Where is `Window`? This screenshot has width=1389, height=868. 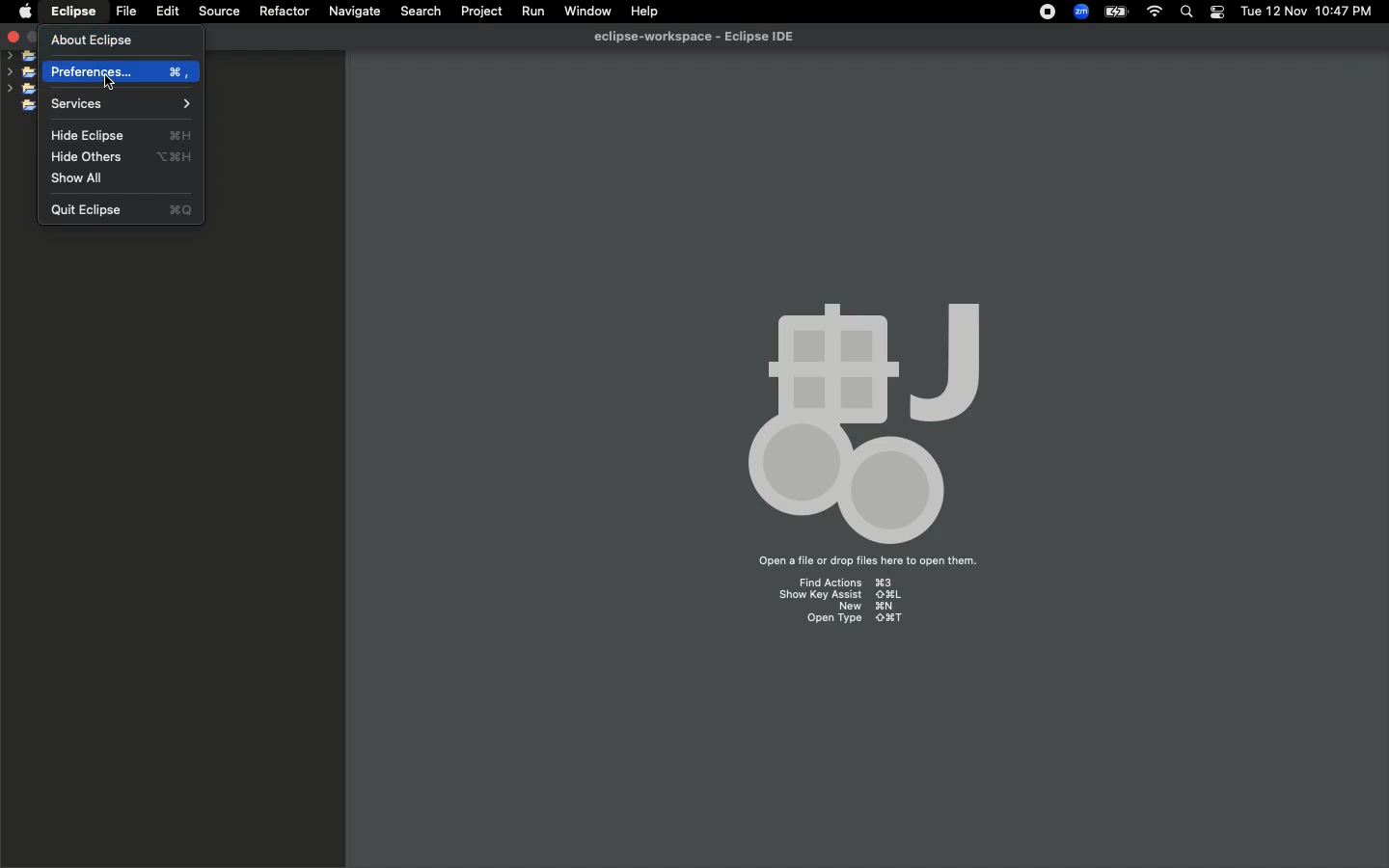
Window is located at coordinates (586, 11).